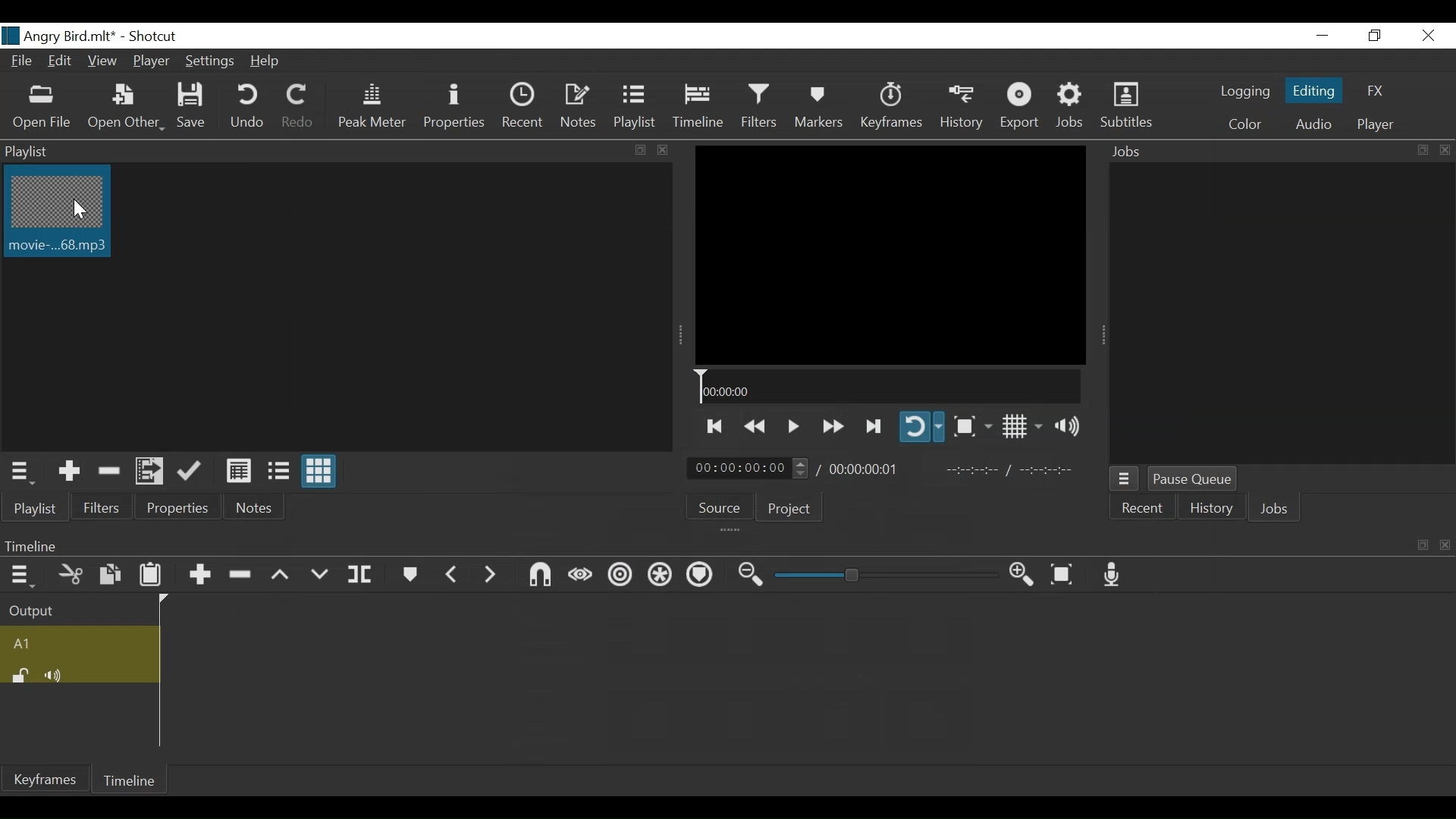 This screenshot has height=819, width=1456. Describe the element at coordinates (154, 37) in the screenshot. I see `Shotcut` at that location.